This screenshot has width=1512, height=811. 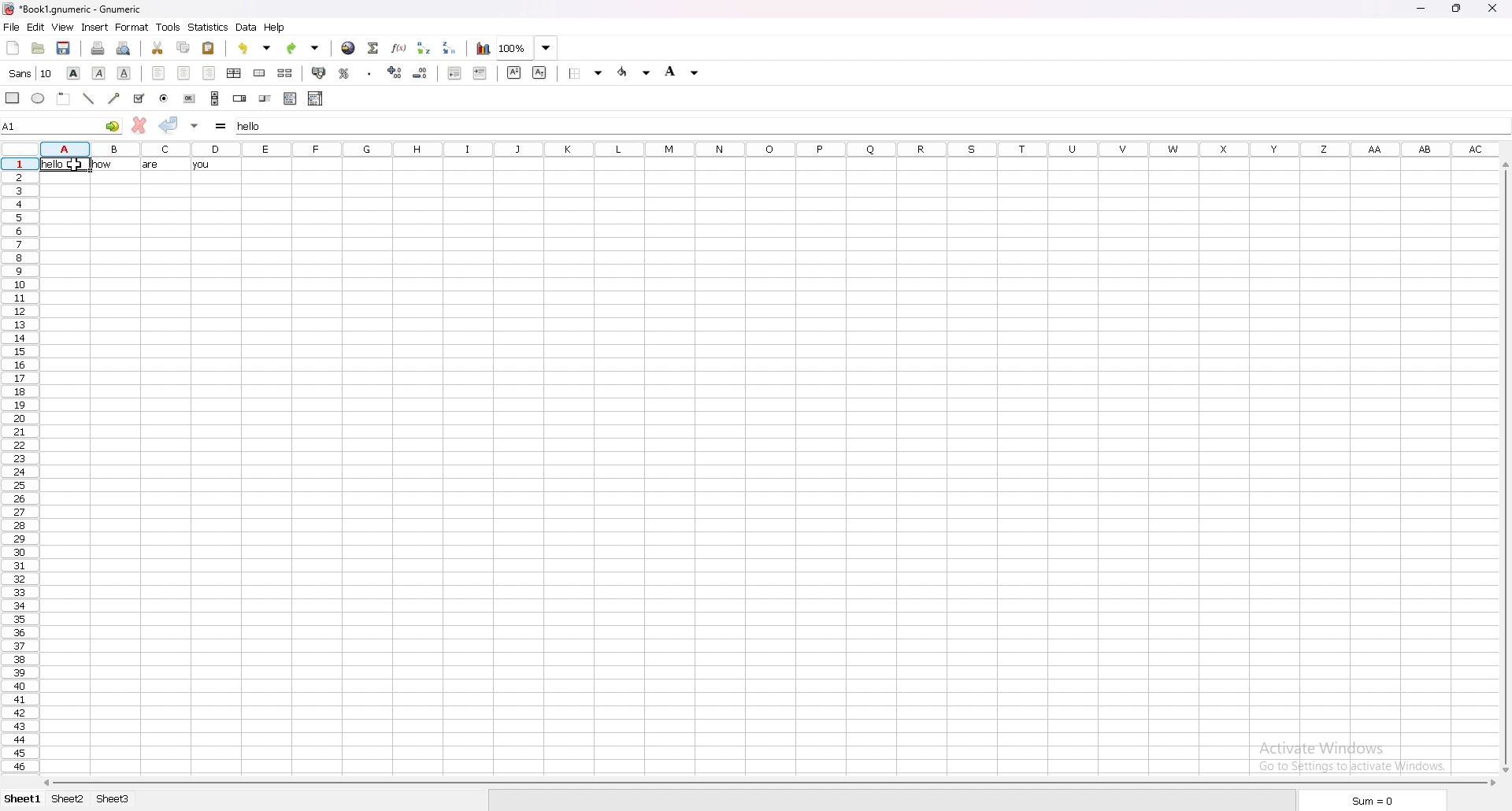 What do you see at coordinates (163, 98) in the screenshot?
I see `radio button` at bounding box center [163, 98].